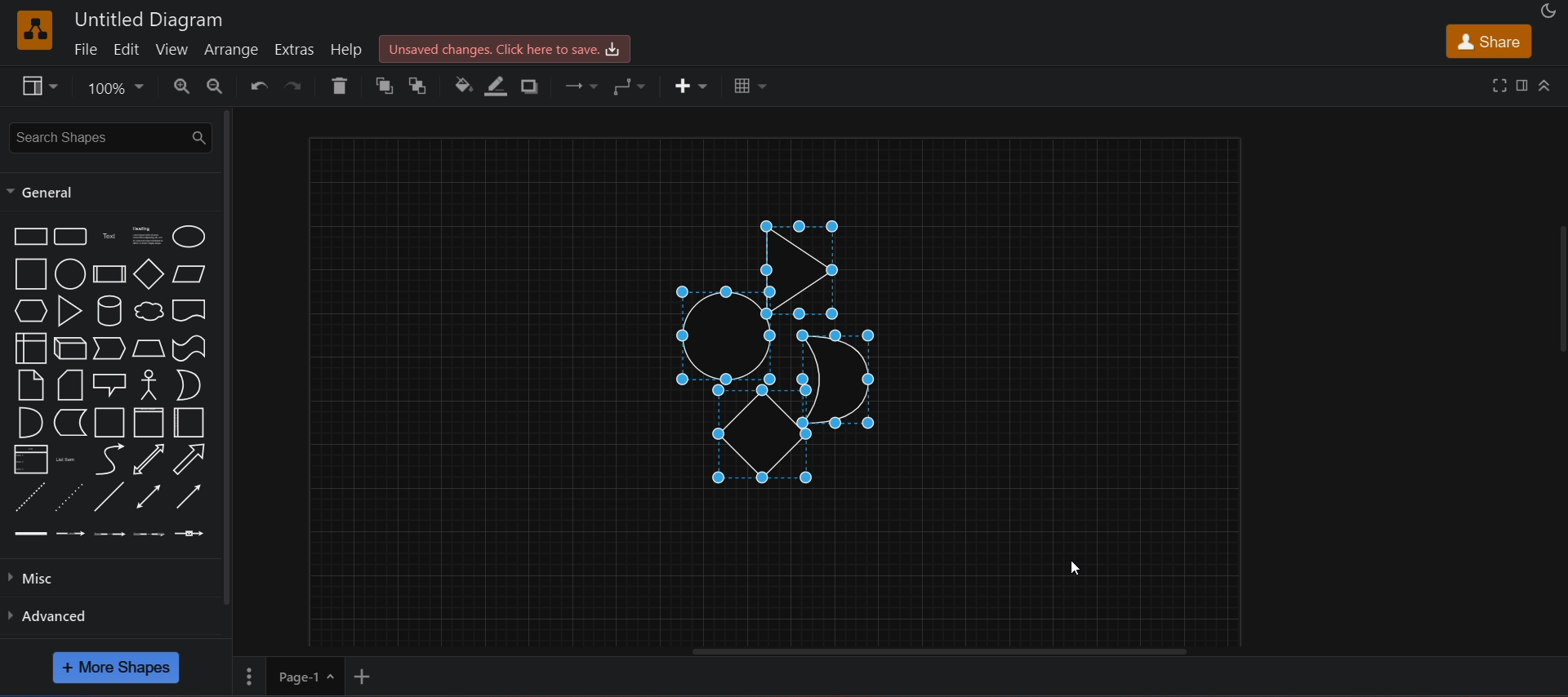 The width and height of the screenshot is (1568, 697). I want to click on or, so click(188, 384).